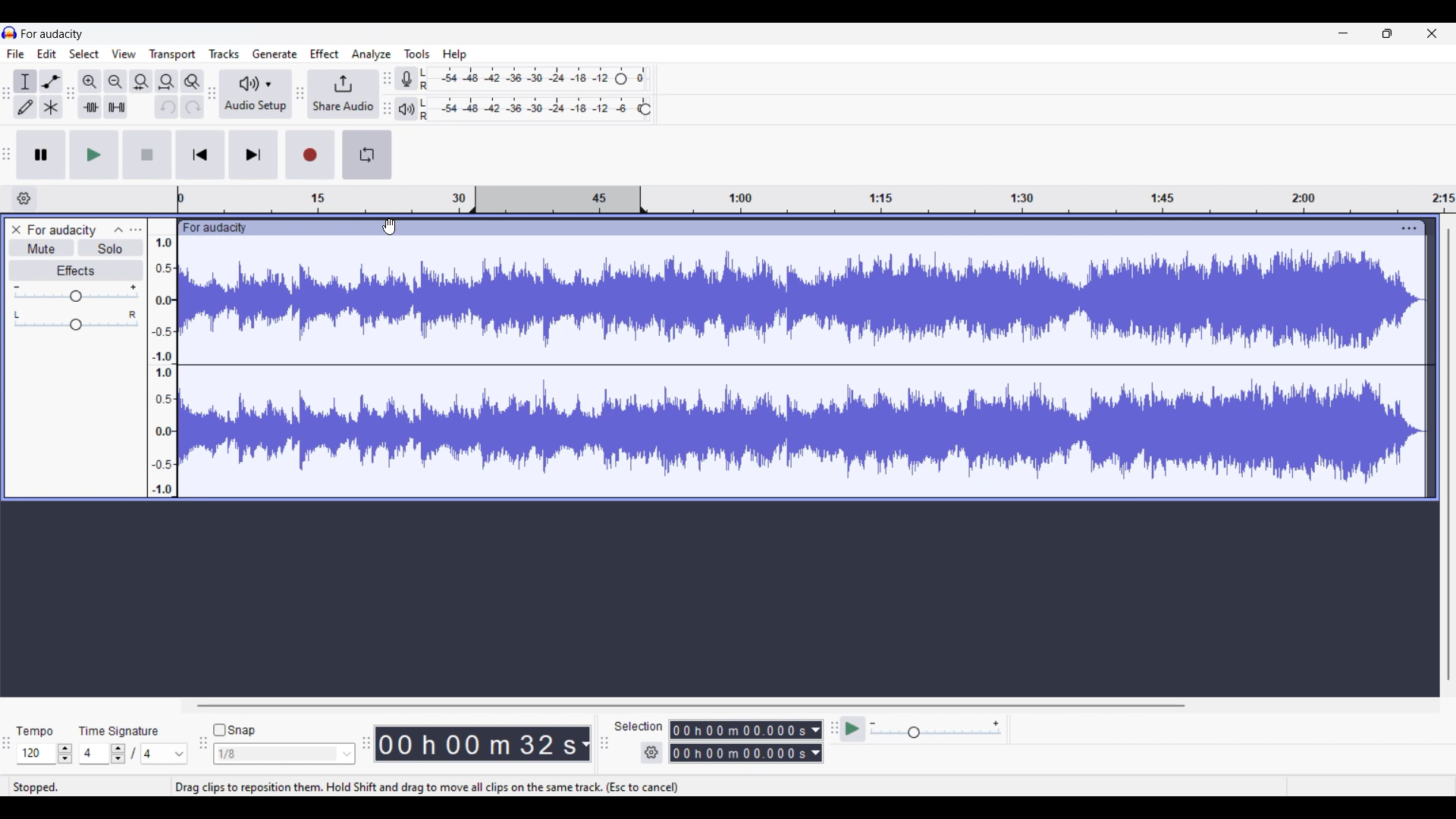 This screenshot has height=819, width=1456. Describe the element at coordinates (118, 231) in the screenshot. I see `Collapse` at that location.